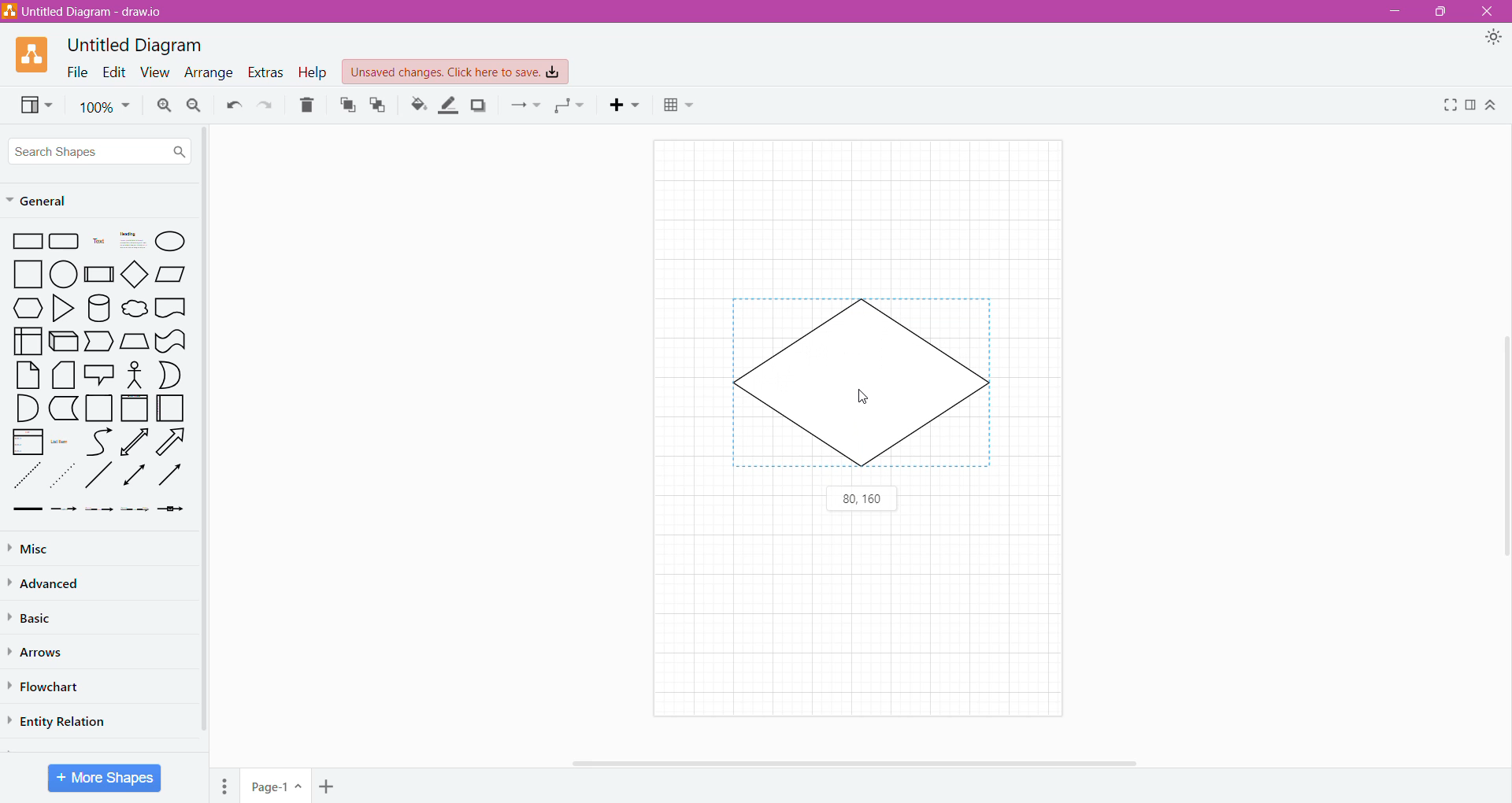 This screenshot has height=803, width=1512. Describe the element at coordinates (98, 478) in the screenshot. I see `Line` at that location.